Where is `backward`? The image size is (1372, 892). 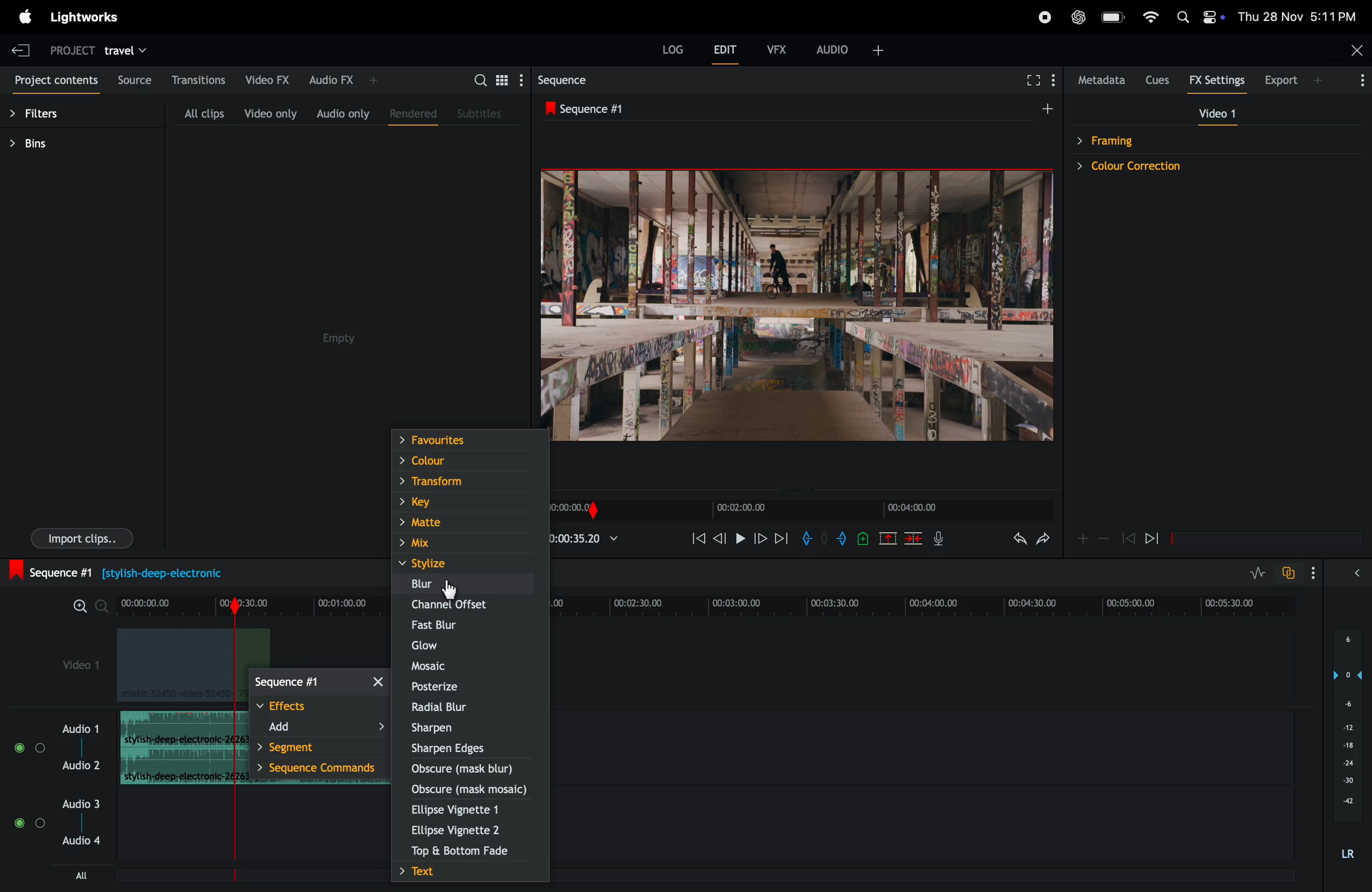
backward is located at coordinates (720, 540).